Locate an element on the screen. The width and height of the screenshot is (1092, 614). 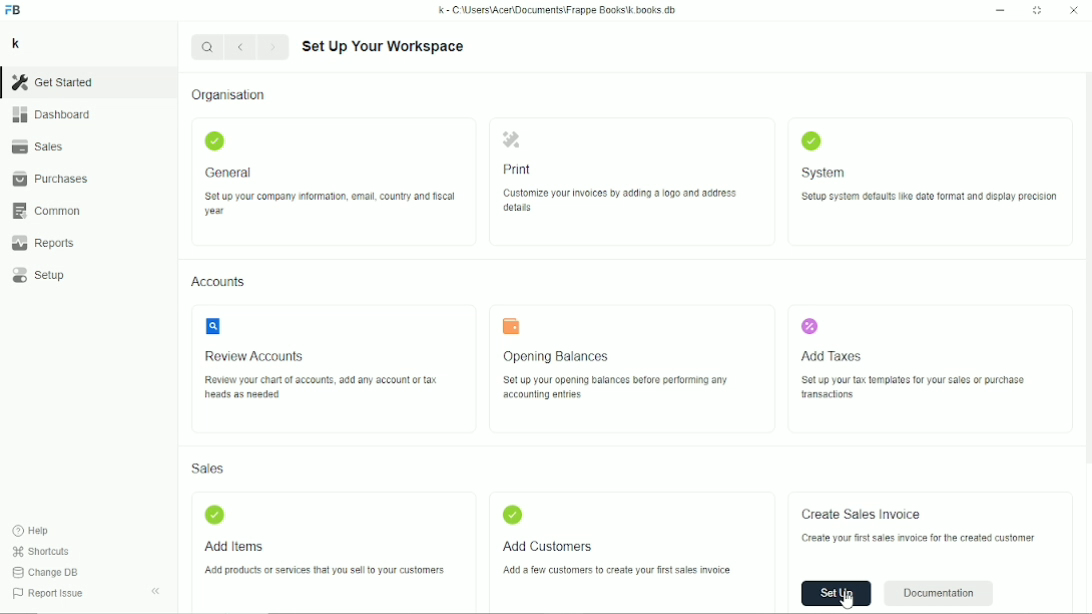
Dashboard is located at coordinates (53, 116).